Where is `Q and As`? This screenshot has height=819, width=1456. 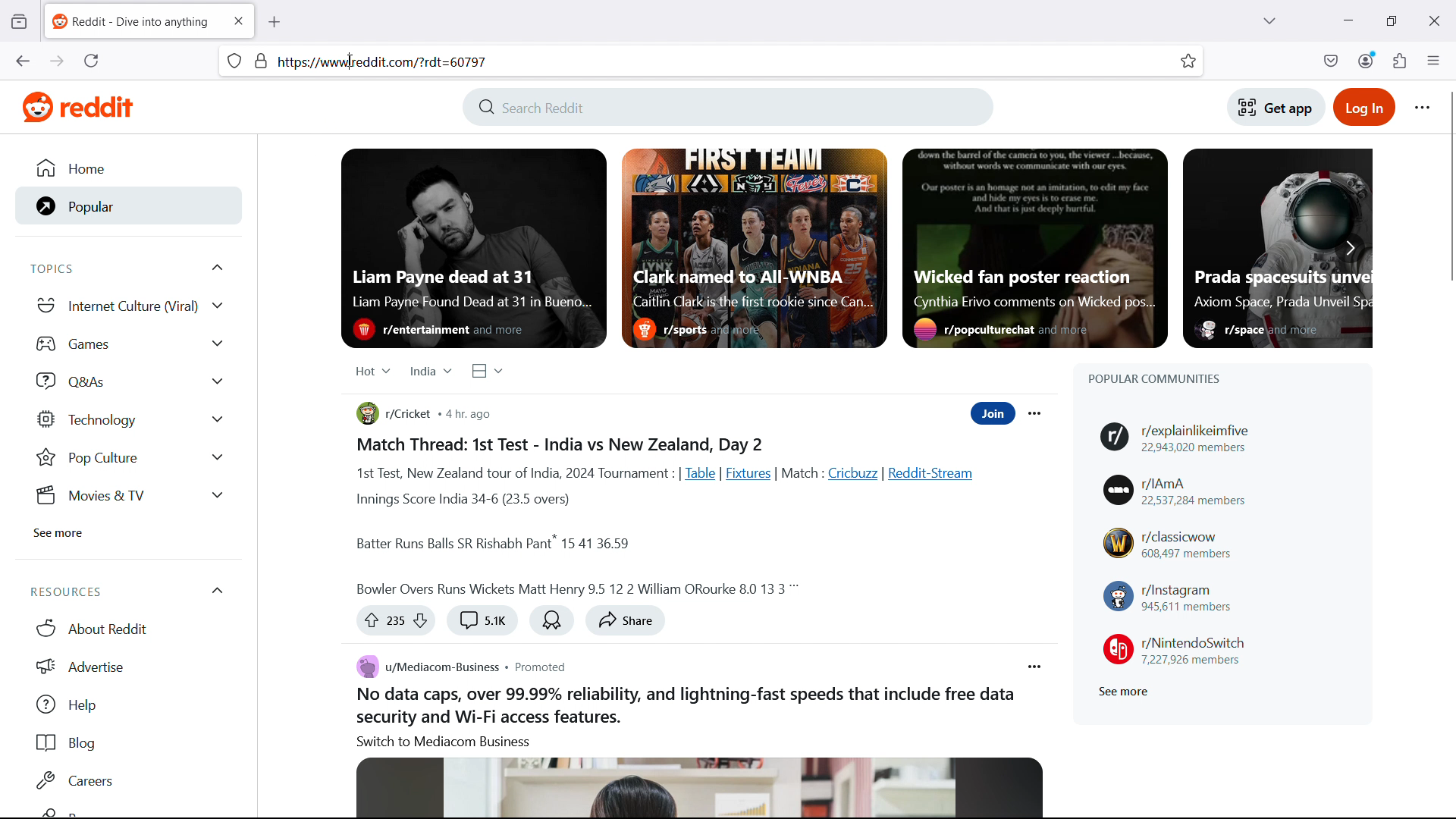
Q and As is located at coordinates (130, 379).